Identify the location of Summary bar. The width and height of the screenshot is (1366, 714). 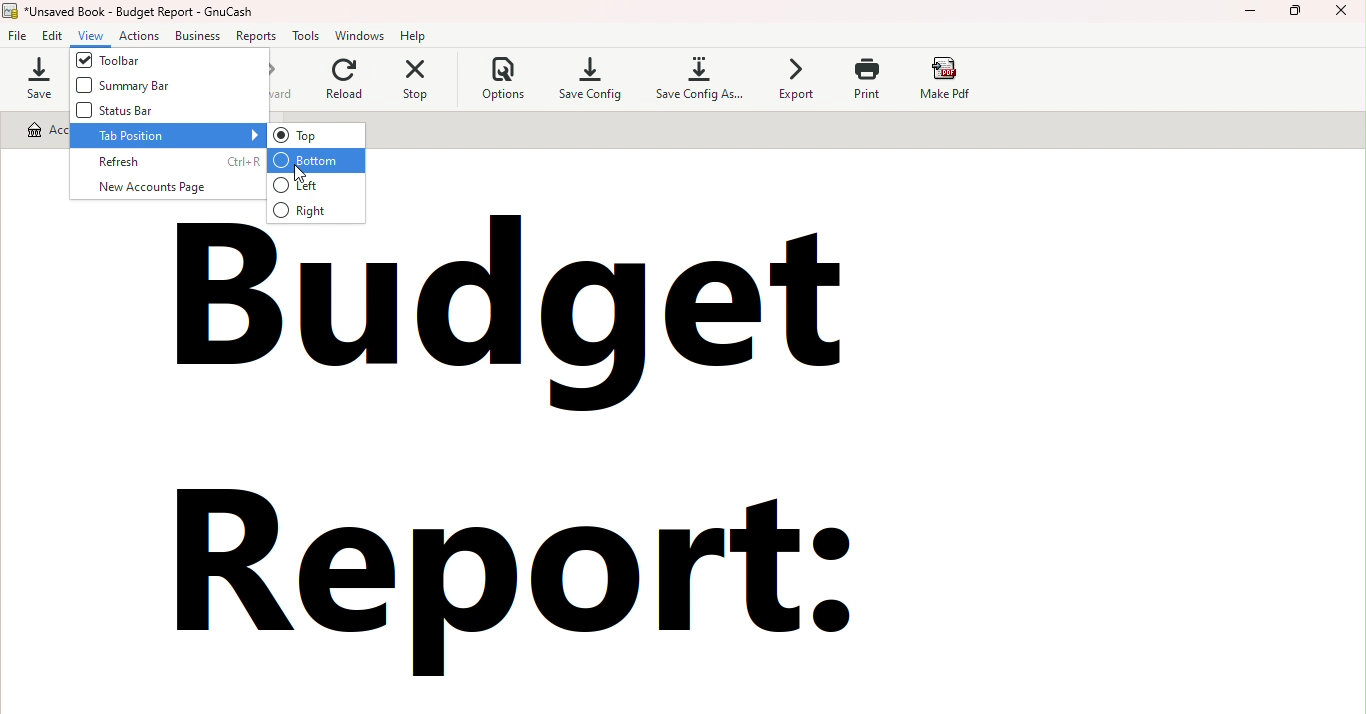
(126, 89).